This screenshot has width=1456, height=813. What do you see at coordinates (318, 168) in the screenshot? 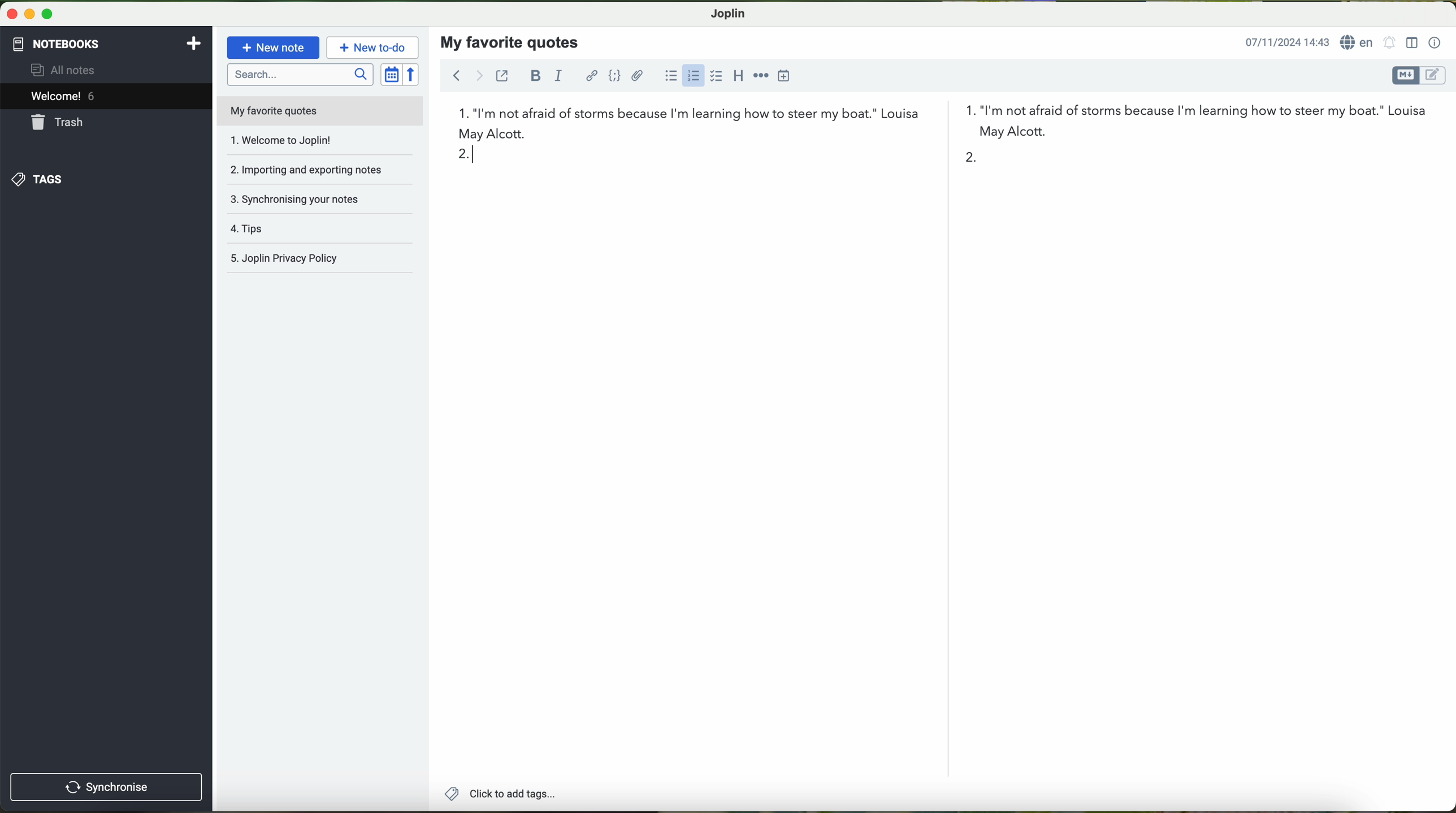
I see `importing and exporting notes` at bounding box center [318, 168].